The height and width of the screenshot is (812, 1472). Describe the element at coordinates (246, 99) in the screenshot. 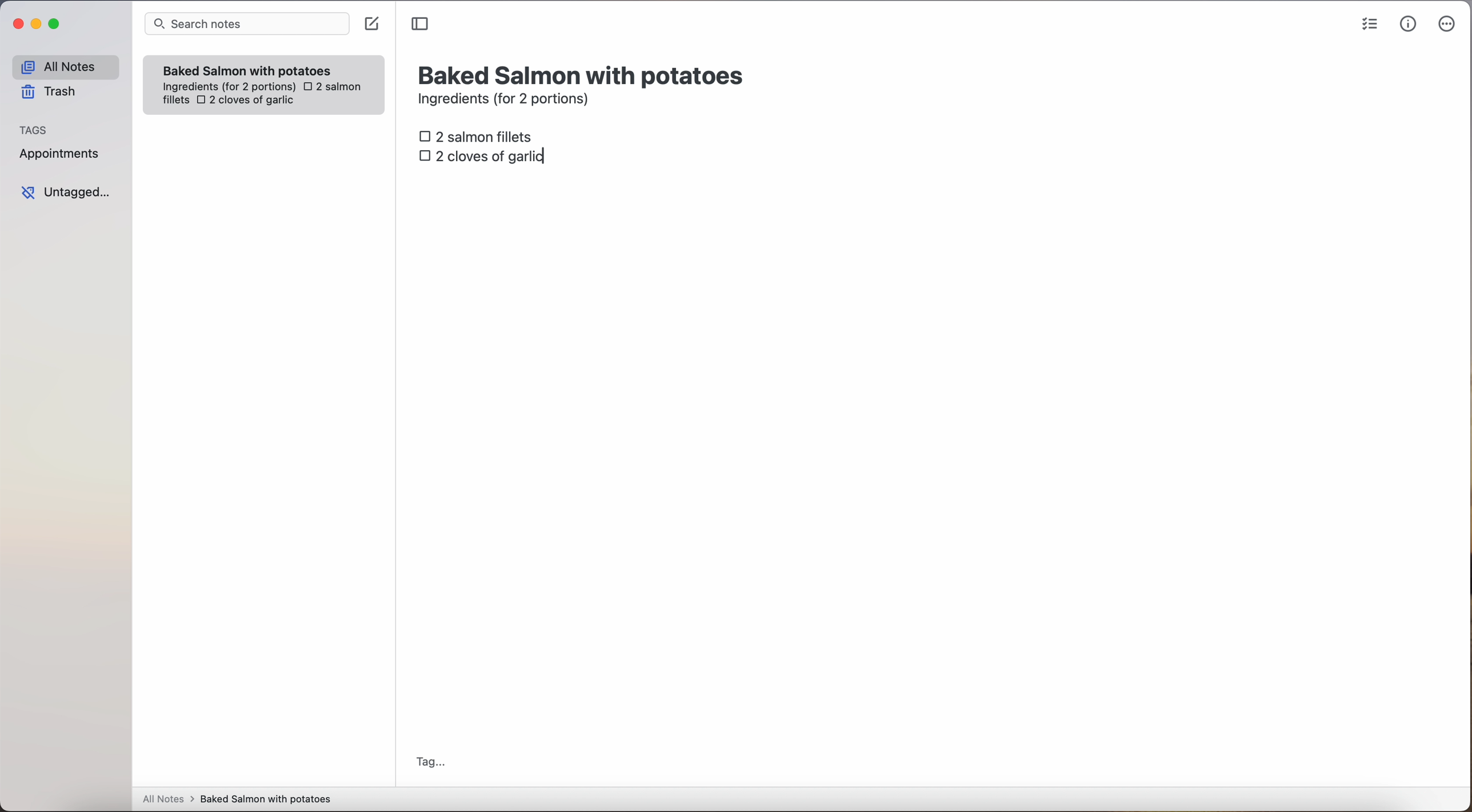

I see `2 cloves of garlic` at that location.